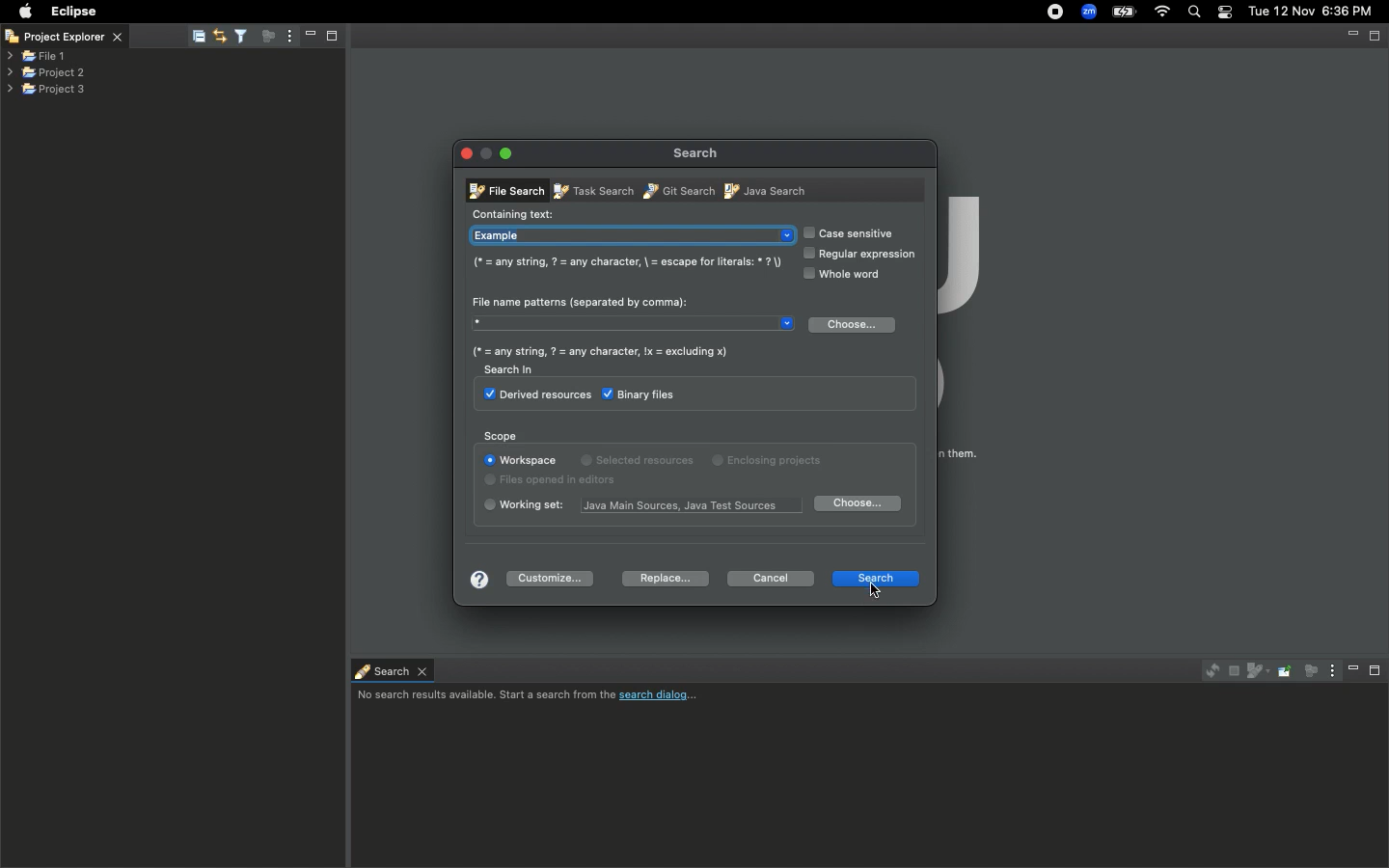 Image resolution: width=1389 pixels, height=868 pixels. I want to click on Collapse all, so click(199, 38).